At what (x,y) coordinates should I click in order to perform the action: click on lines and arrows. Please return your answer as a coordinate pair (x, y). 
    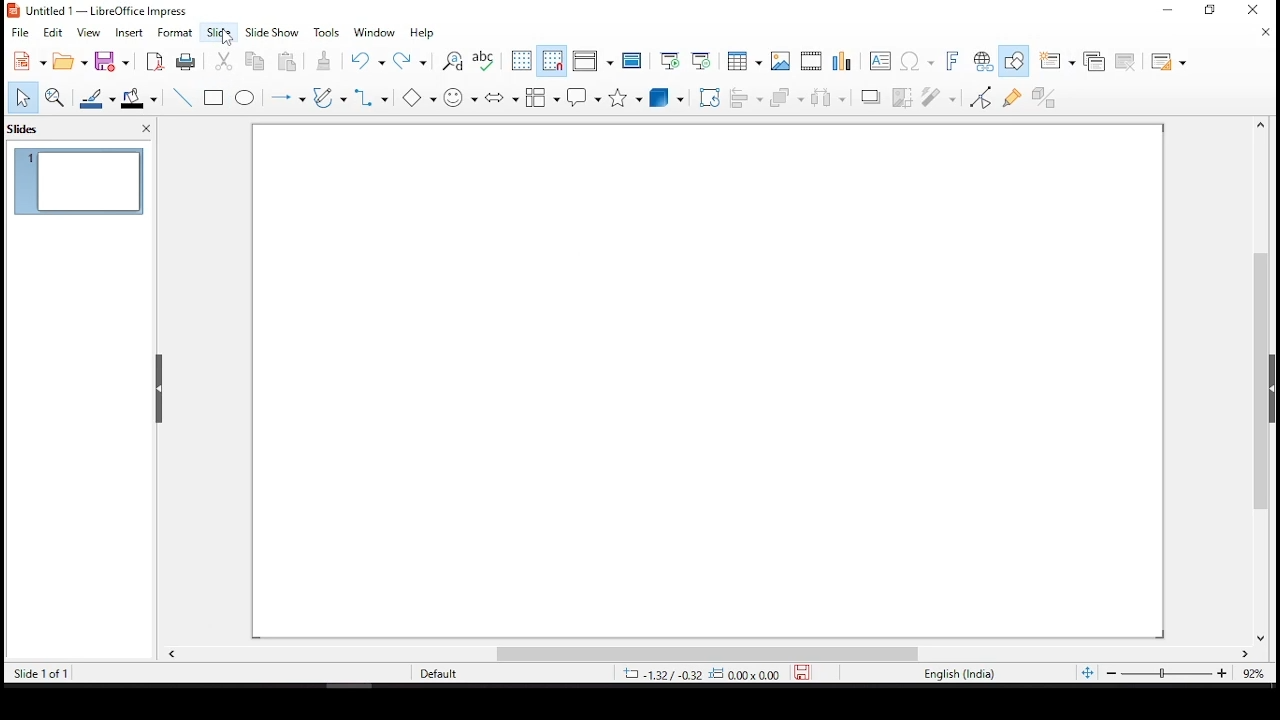
    Looking at the image, I should click on (287, 96).